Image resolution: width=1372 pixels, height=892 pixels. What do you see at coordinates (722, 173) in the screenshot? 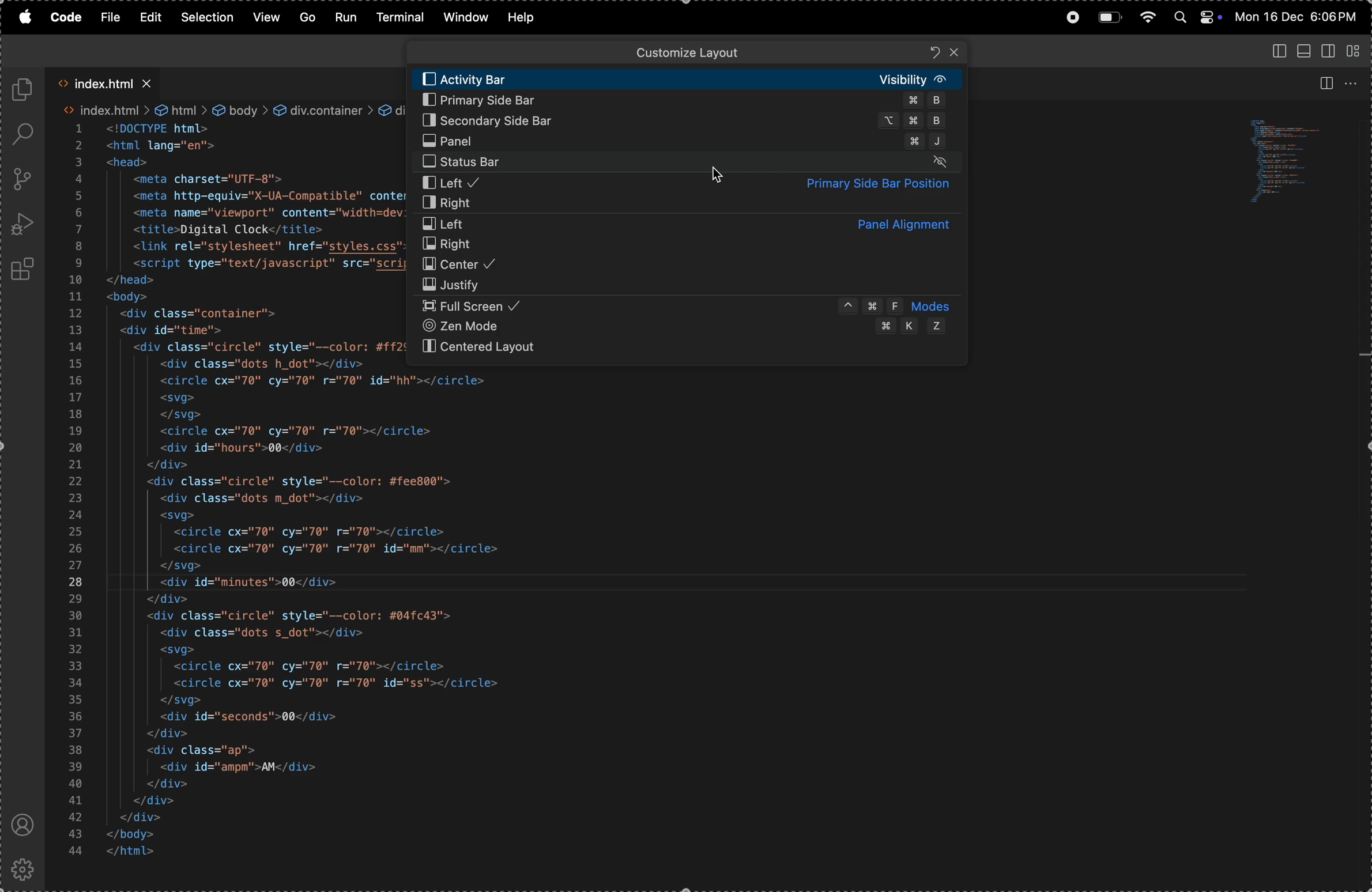
I see `cursor` at bounding box center [722, 173].